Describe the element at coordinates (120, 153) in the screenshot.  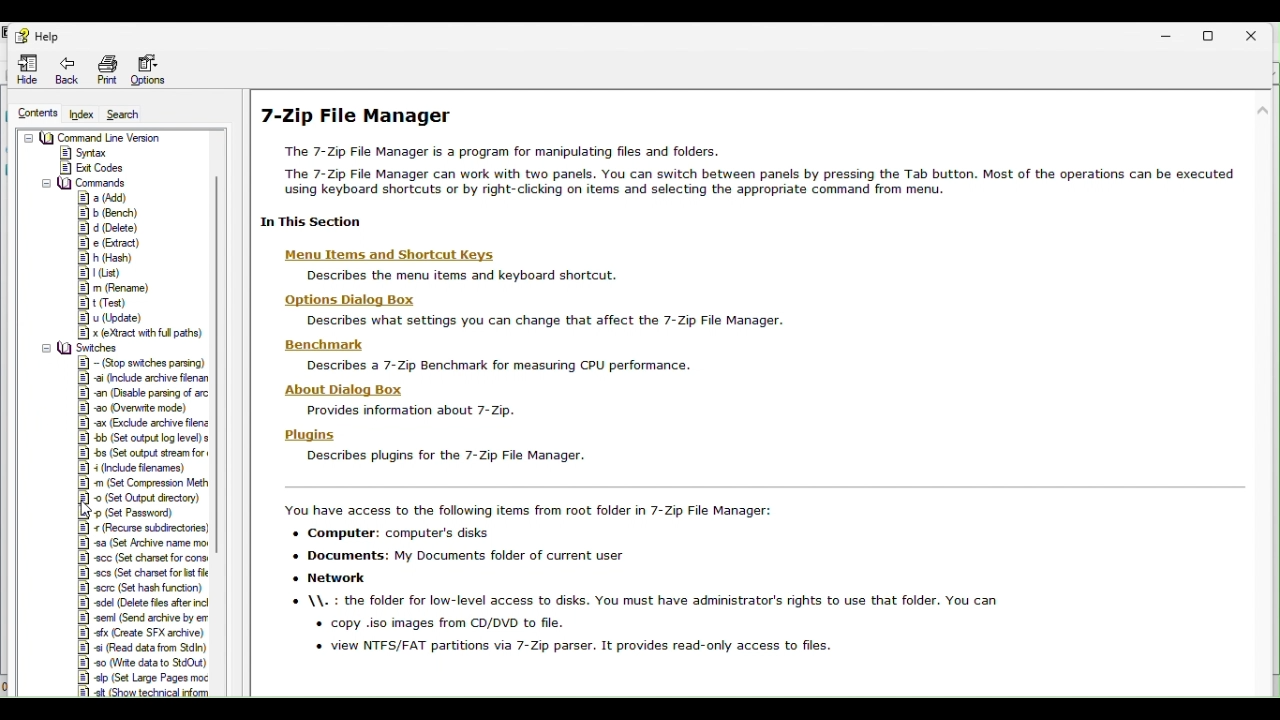
I see `Gender information` at that location.